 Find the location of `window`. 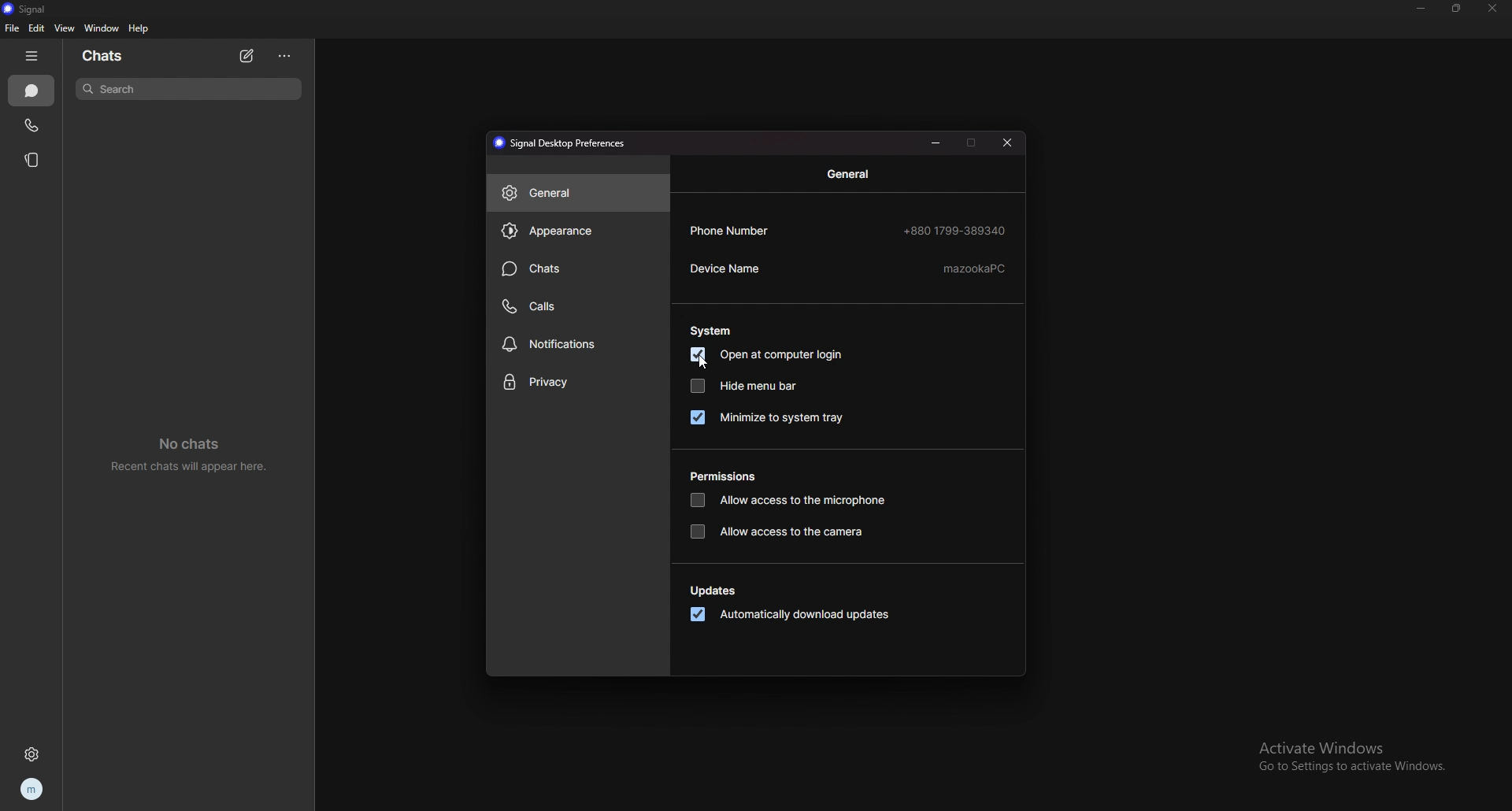

window is located at coordinates (103, 28).